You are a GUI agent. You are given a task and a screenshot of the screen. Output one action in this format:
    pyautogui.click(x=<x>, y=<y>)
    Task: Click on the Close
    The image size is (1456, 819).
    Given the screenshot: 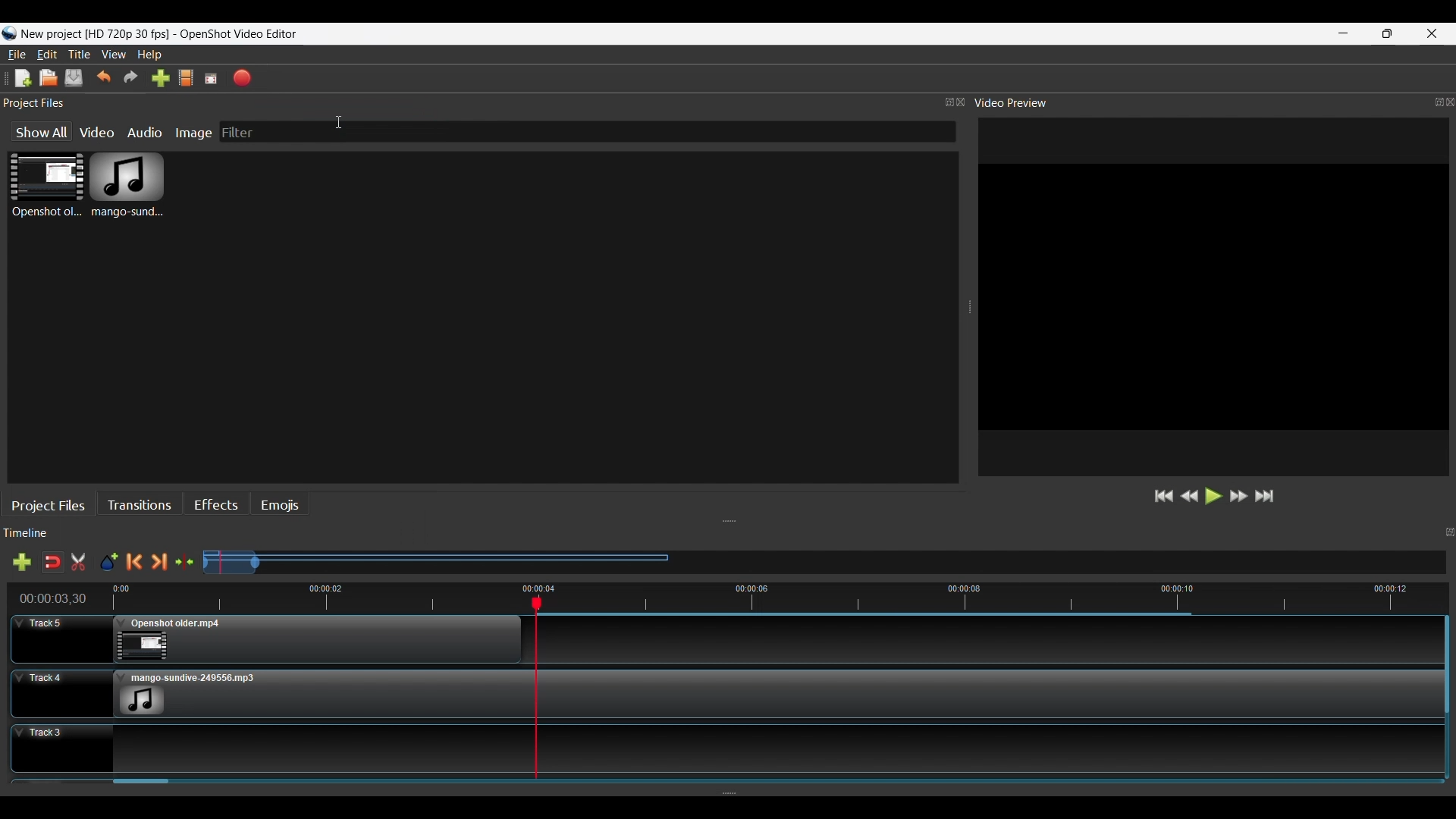 What is the action you would take?
    pyautogui.click(x=1432, y=33)
    